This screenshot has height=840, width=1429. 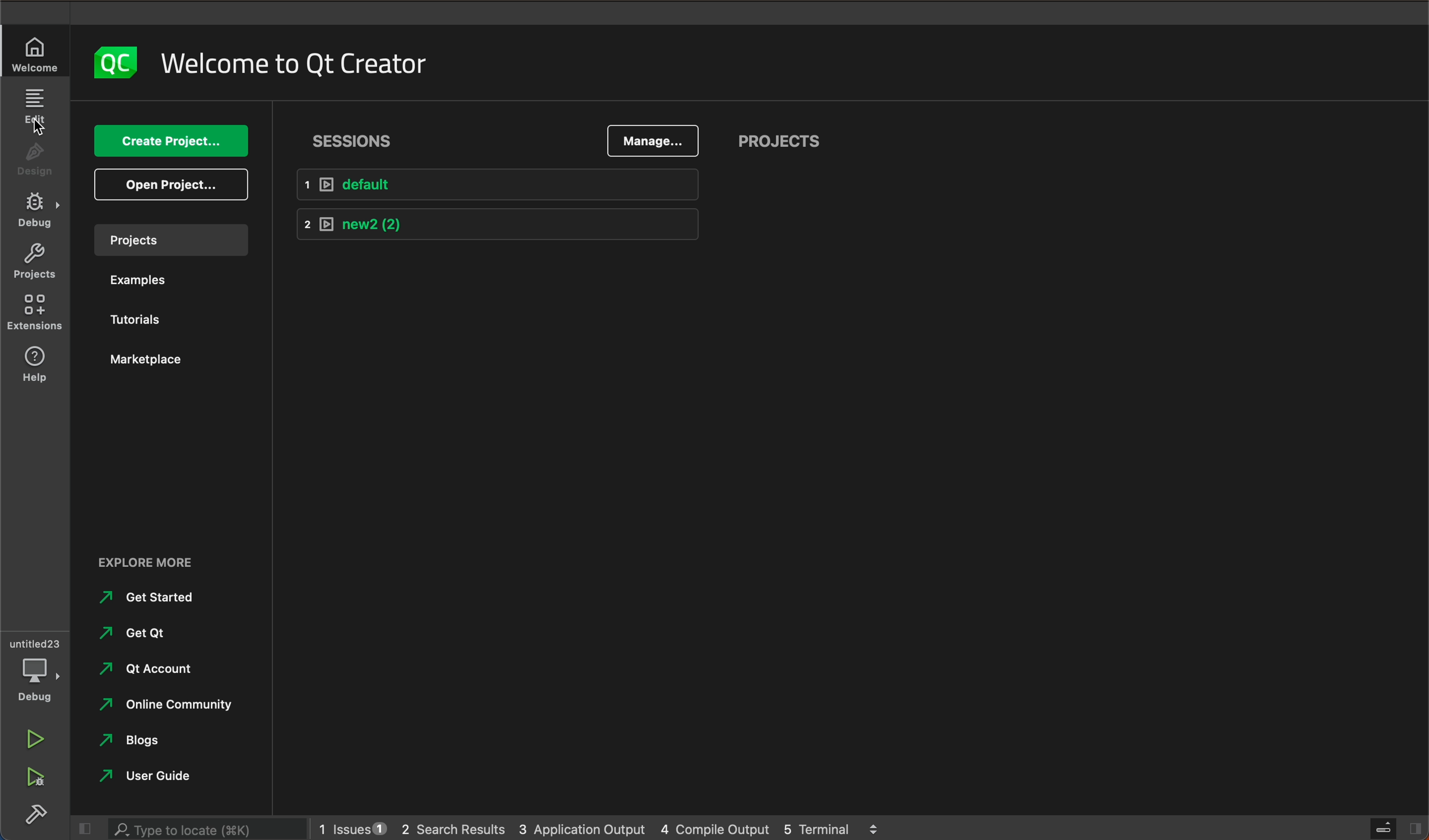 I want to click on project, so click(x=780, y=142).